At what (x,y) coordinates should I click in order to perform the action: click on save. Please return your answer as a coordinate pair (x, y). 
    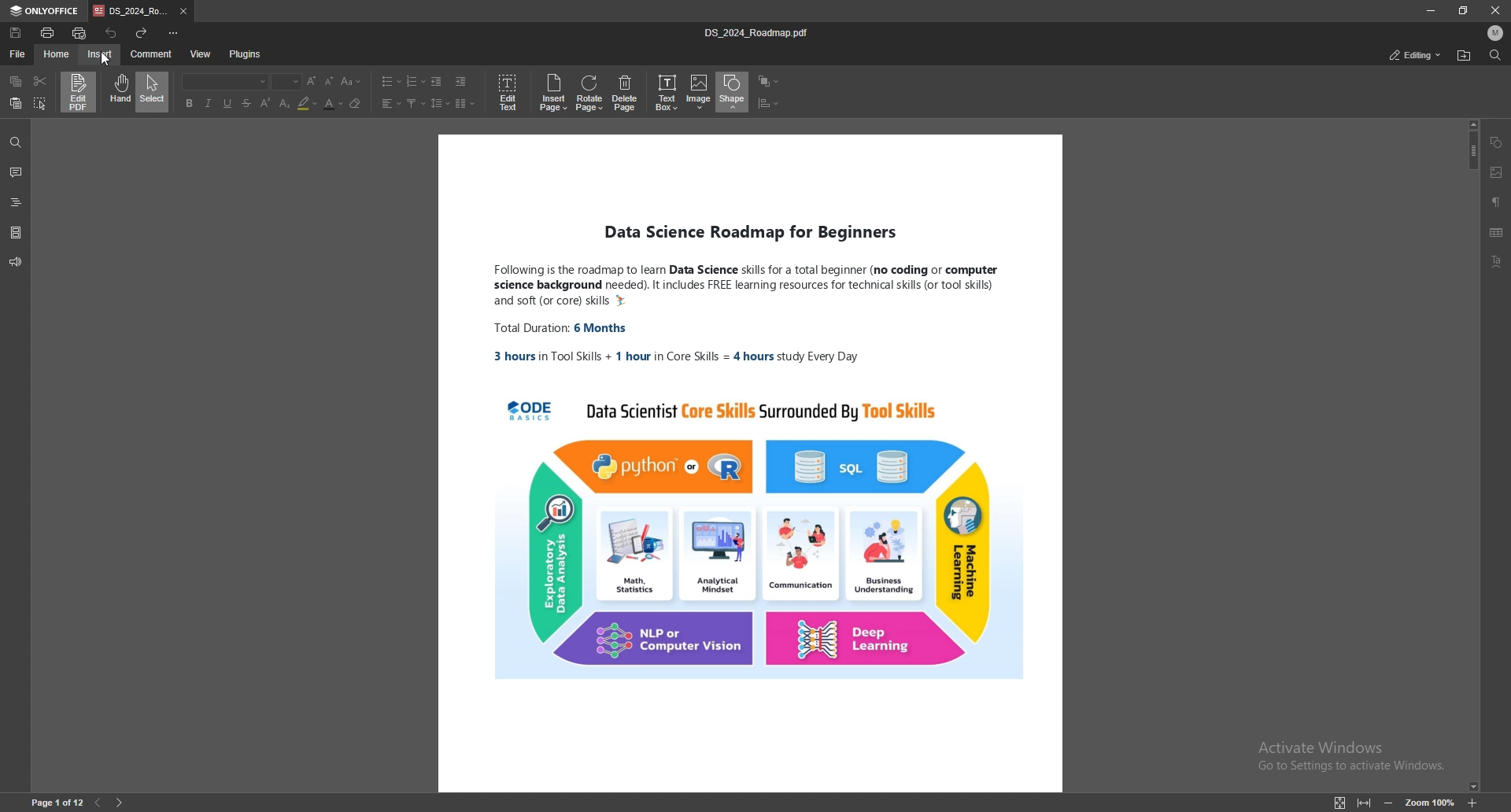
    Looking at the image, I should click on (17, 33).